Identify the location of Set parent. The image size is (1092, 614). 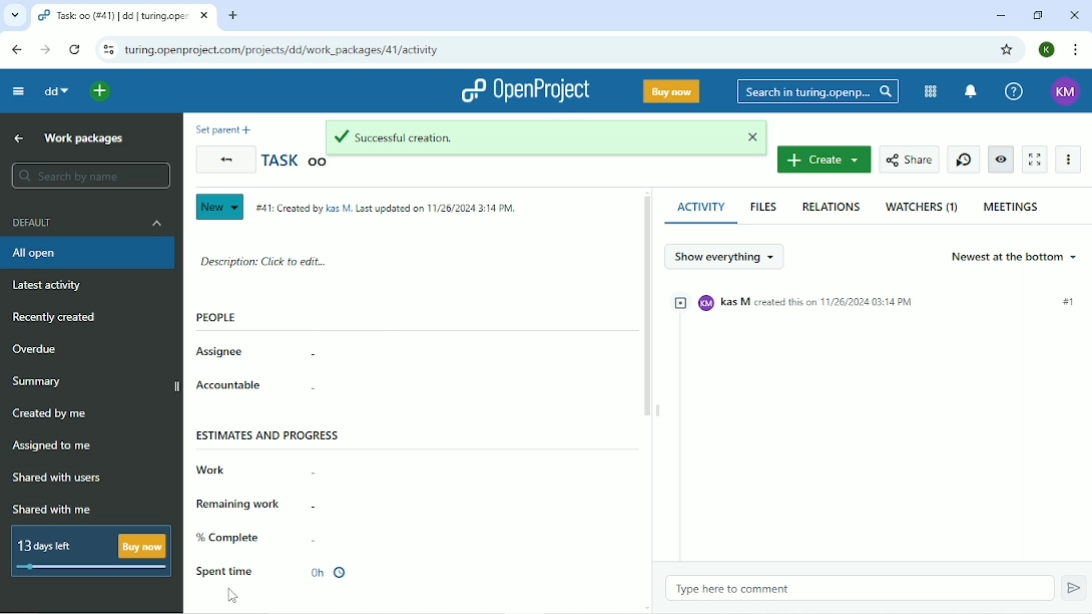
(225, 129).